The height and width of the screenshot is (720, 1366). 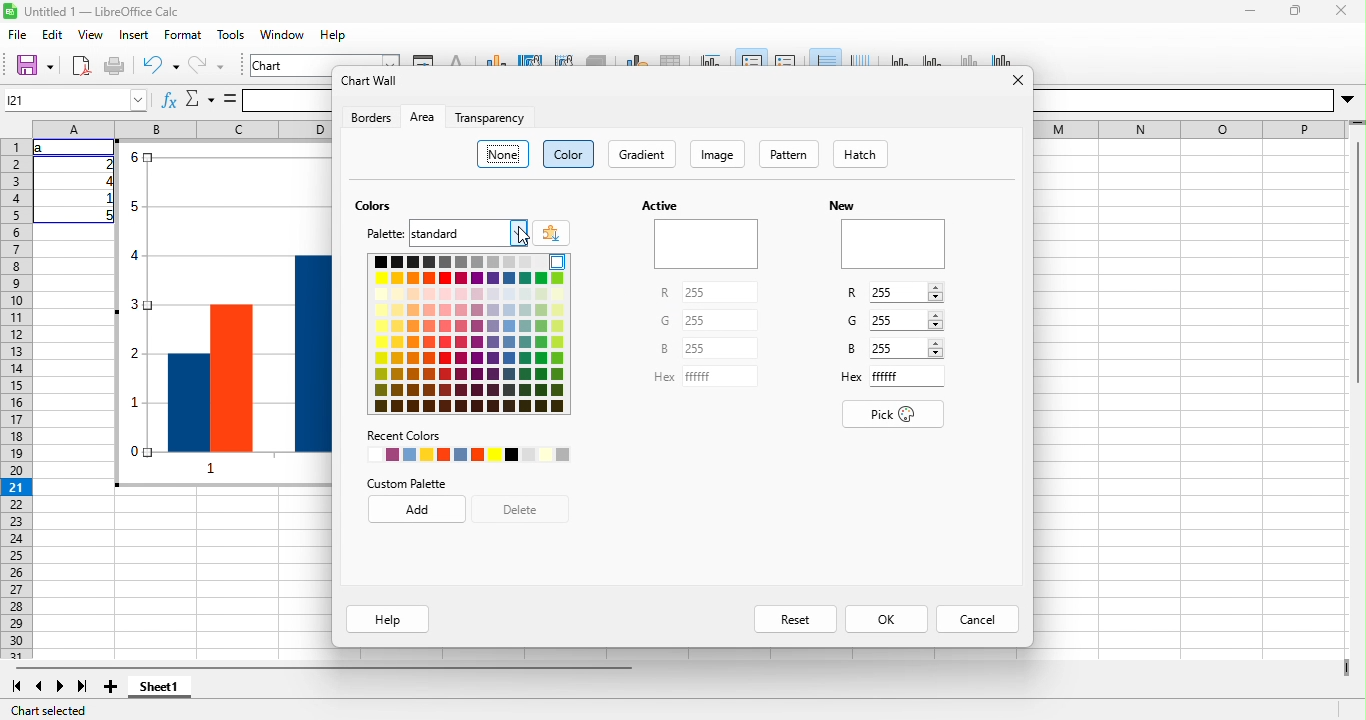 What do you see at coordinates (324, 667) in the screenshot?
I see `horizontal scroll bar` at bounding box center [324, 667].